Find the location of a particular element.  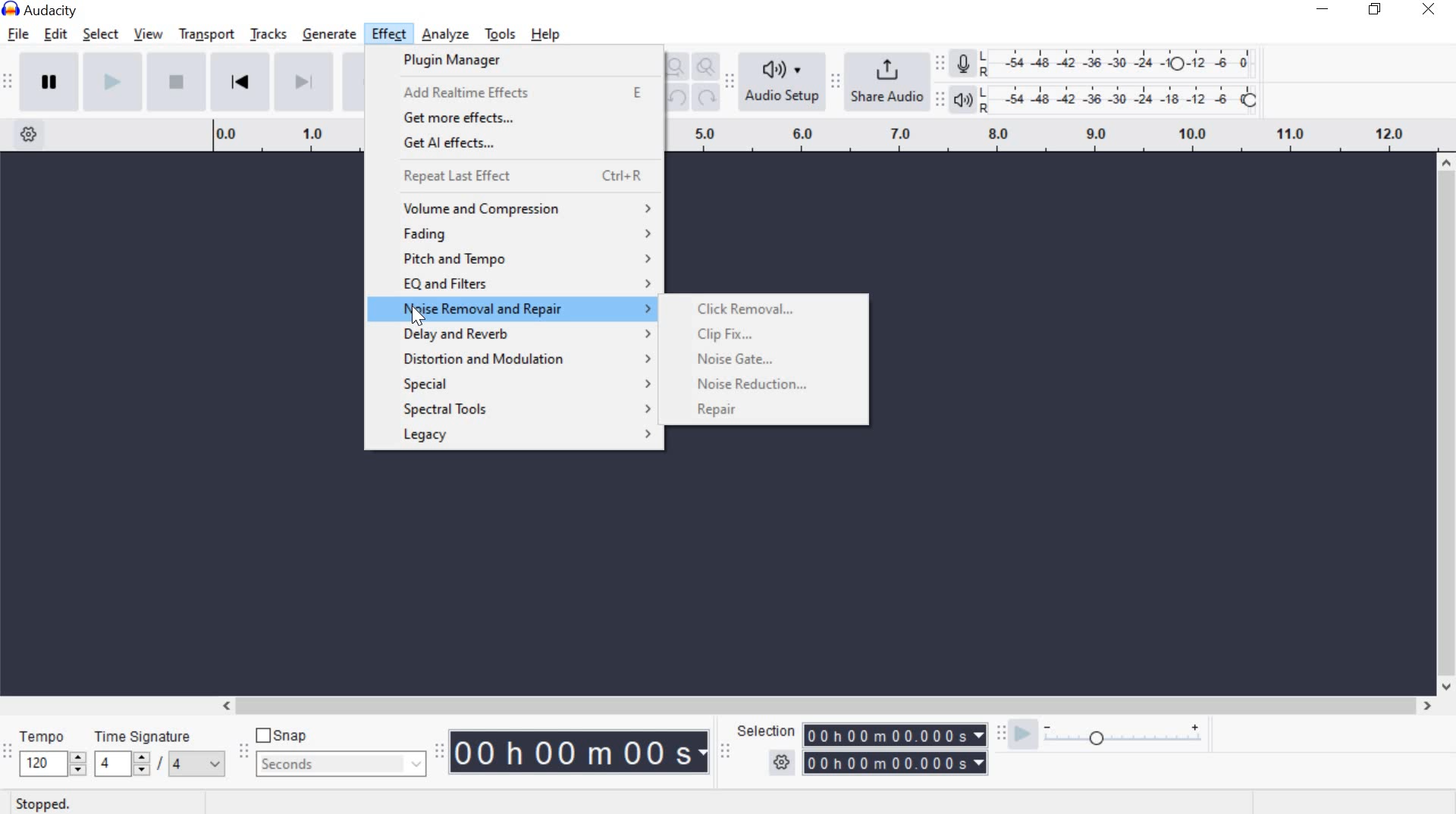

delay and reverb is located at coordinates (522, 335).